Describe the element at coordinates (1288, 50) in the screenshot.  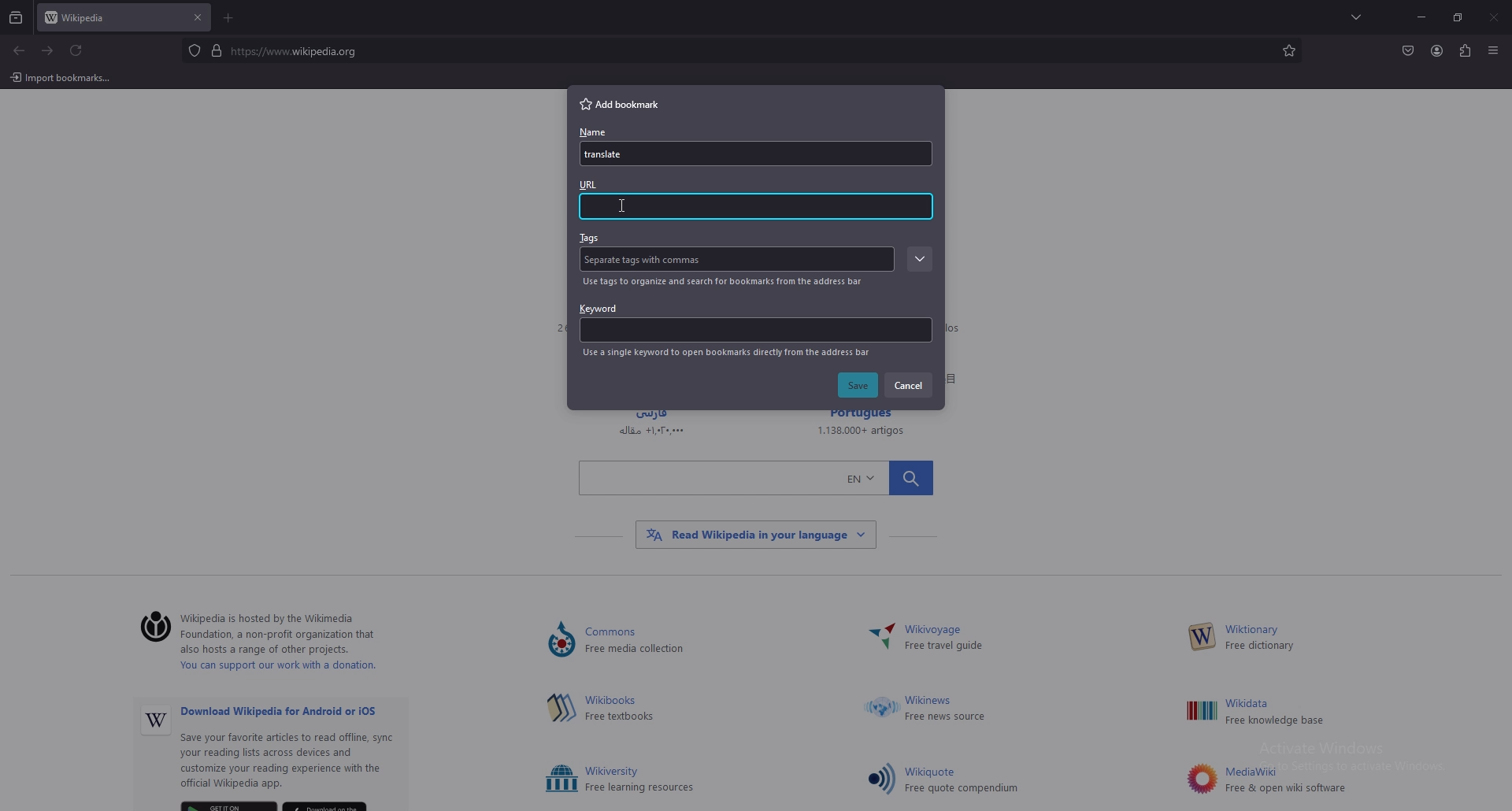
I see `bookmarks` at that location.